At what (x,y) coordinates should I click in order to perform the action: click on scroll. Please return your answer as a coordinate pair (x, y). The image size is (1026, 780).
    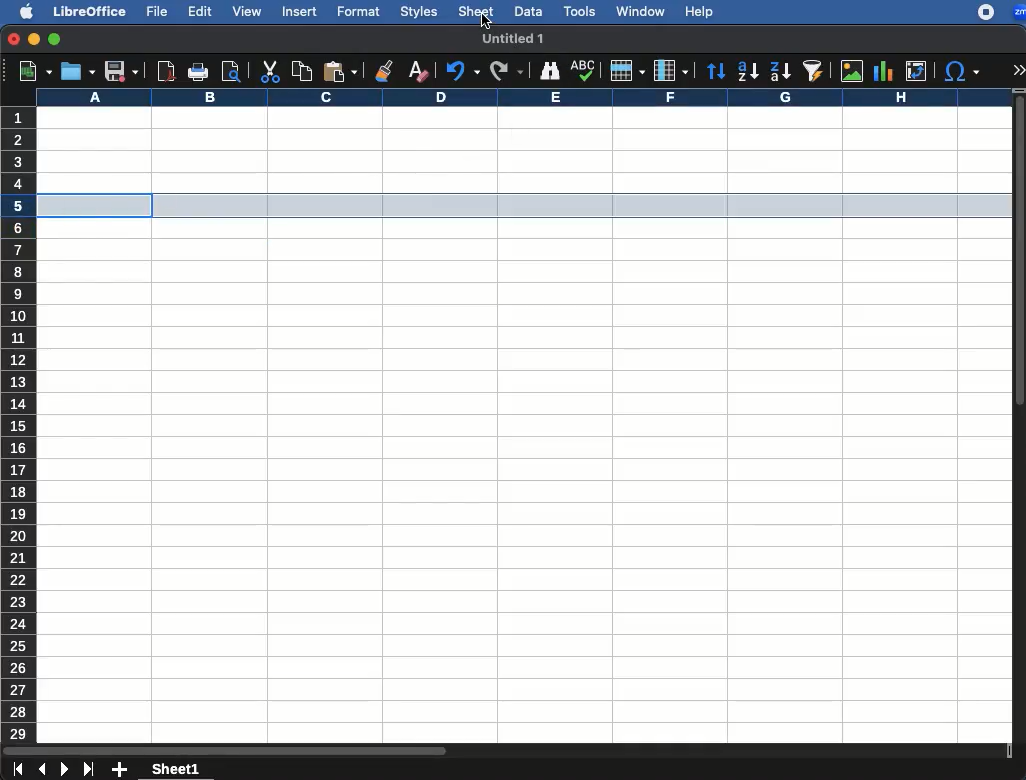
    Looking at the image, I should click on (1020, 417).